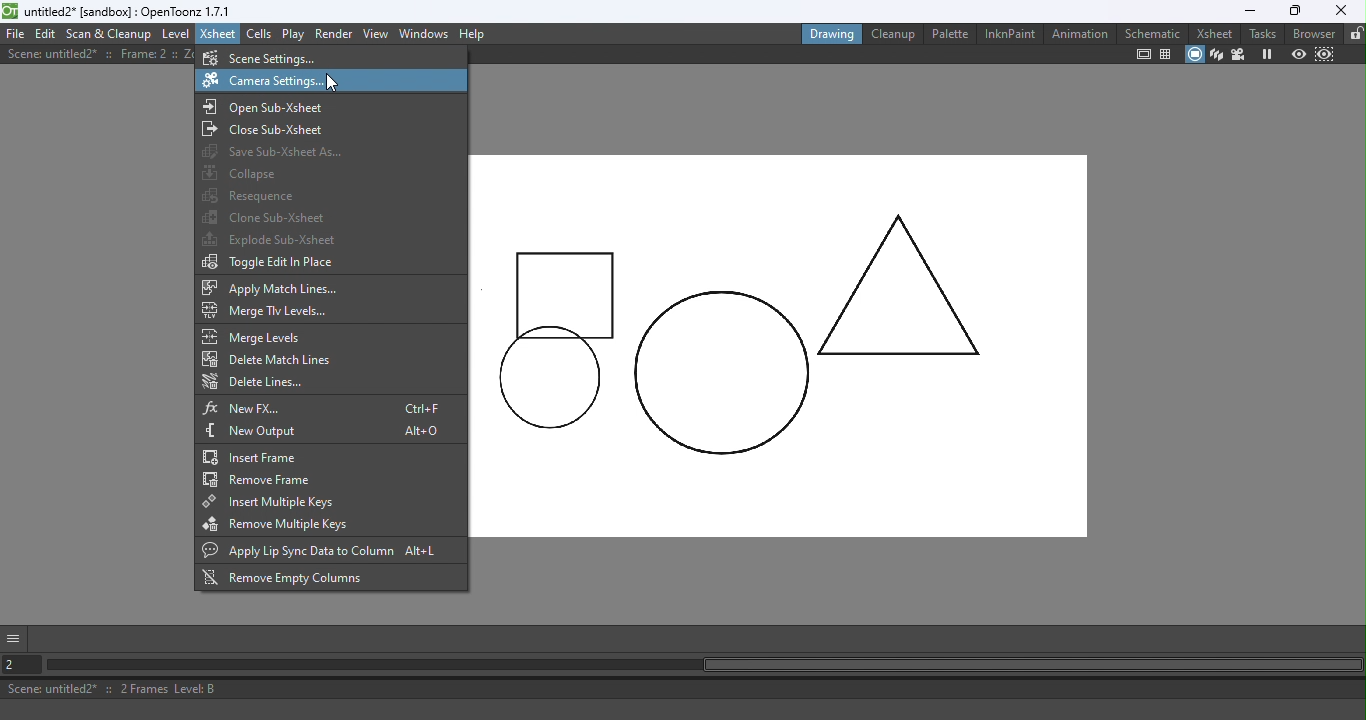  Describe the element at coordinates (218, 33) in the screenshot. I see `Xsheet` at that location.